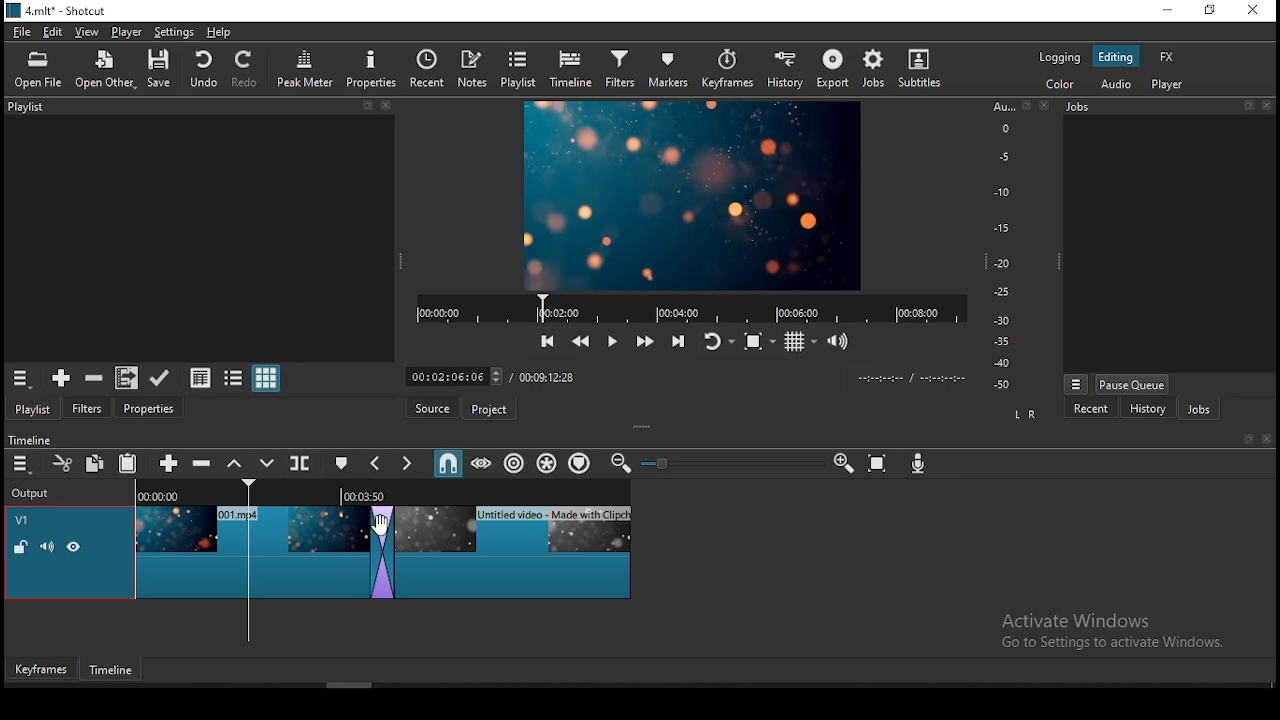 This screenshot has height=720, width=1280. Describe the element at coordinates (380, 522) in the screenshot. I see `mouse pointer` at that location.